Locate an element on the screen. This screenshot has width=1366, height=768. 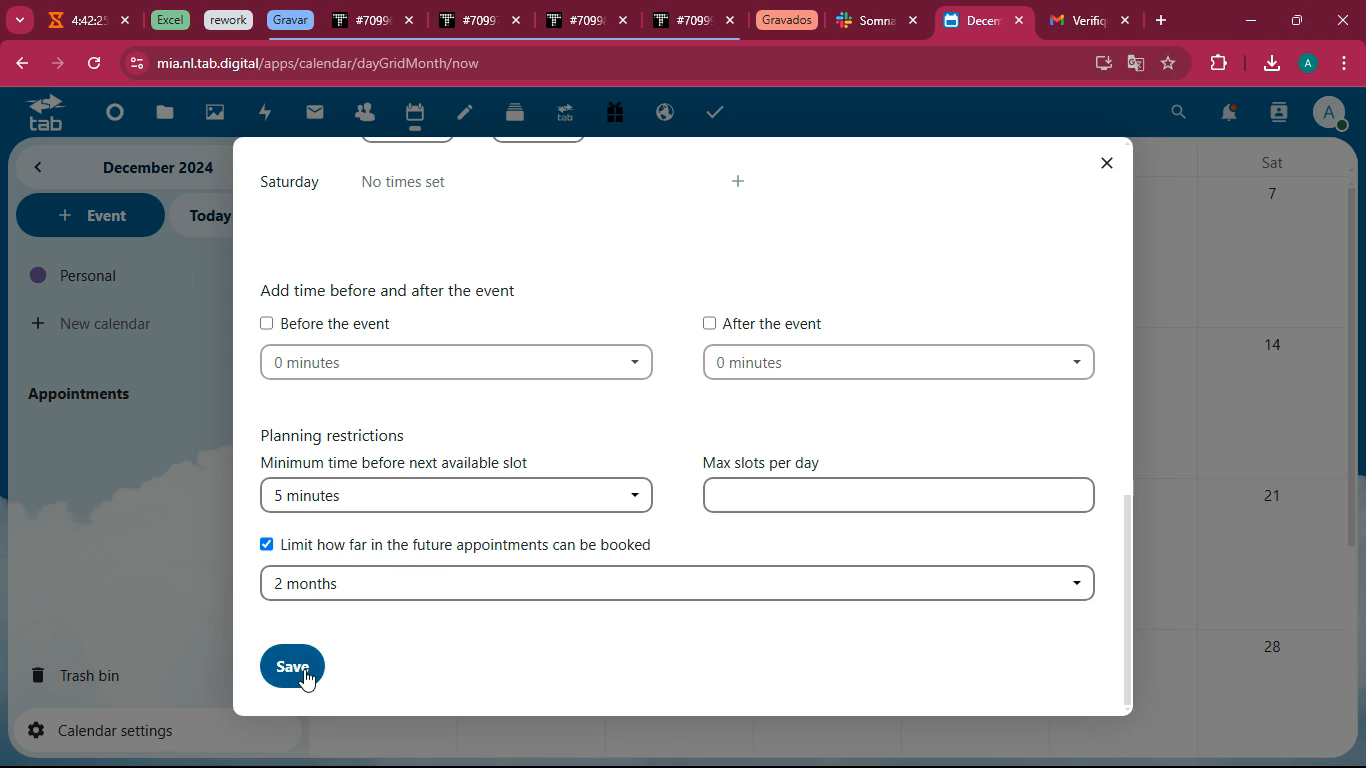
save is located at coordinates (279, 662).